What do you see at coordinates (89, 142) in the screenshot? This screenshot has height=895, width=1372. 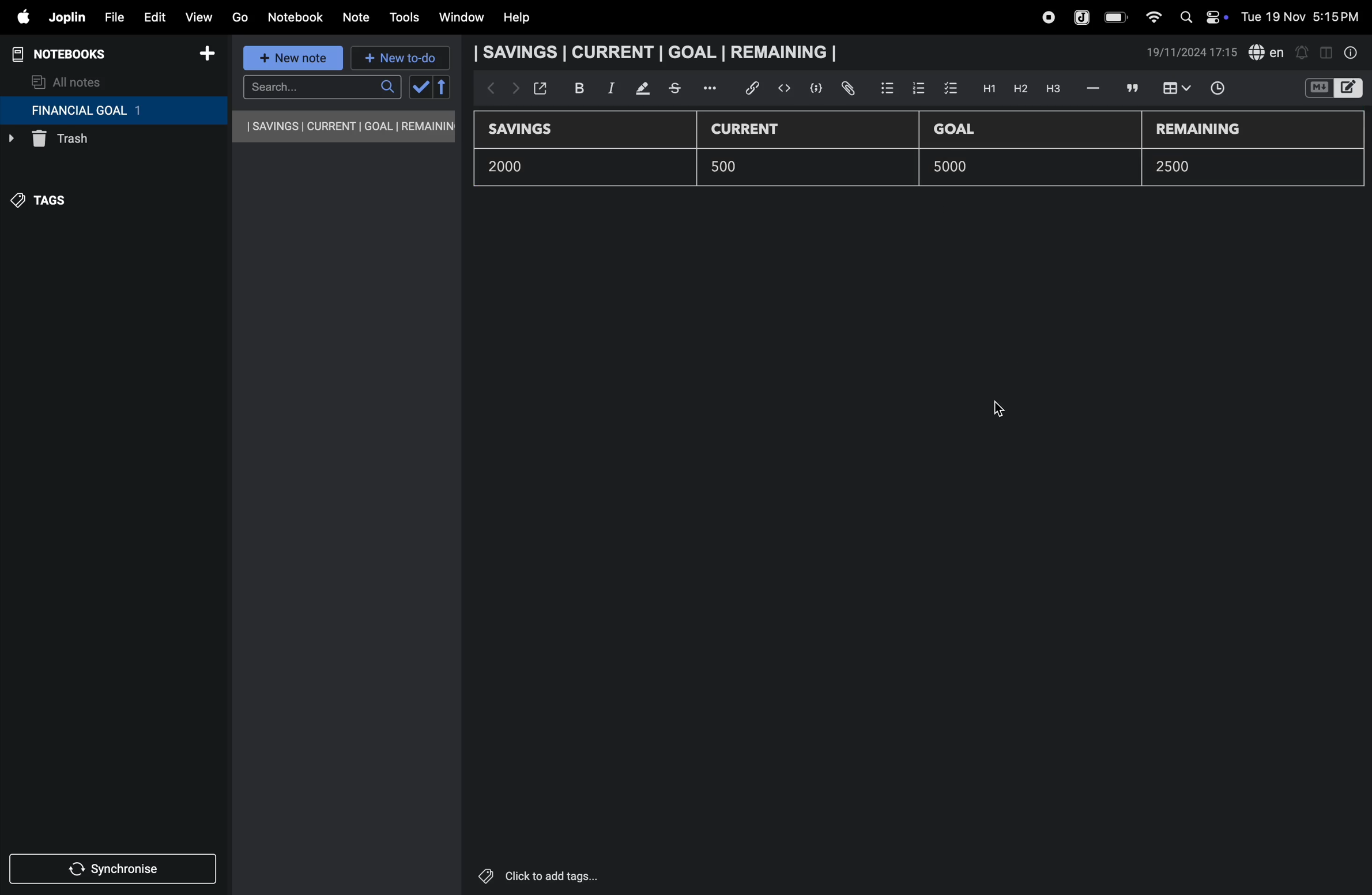 I see `trash` at bounding box center [89, 142].